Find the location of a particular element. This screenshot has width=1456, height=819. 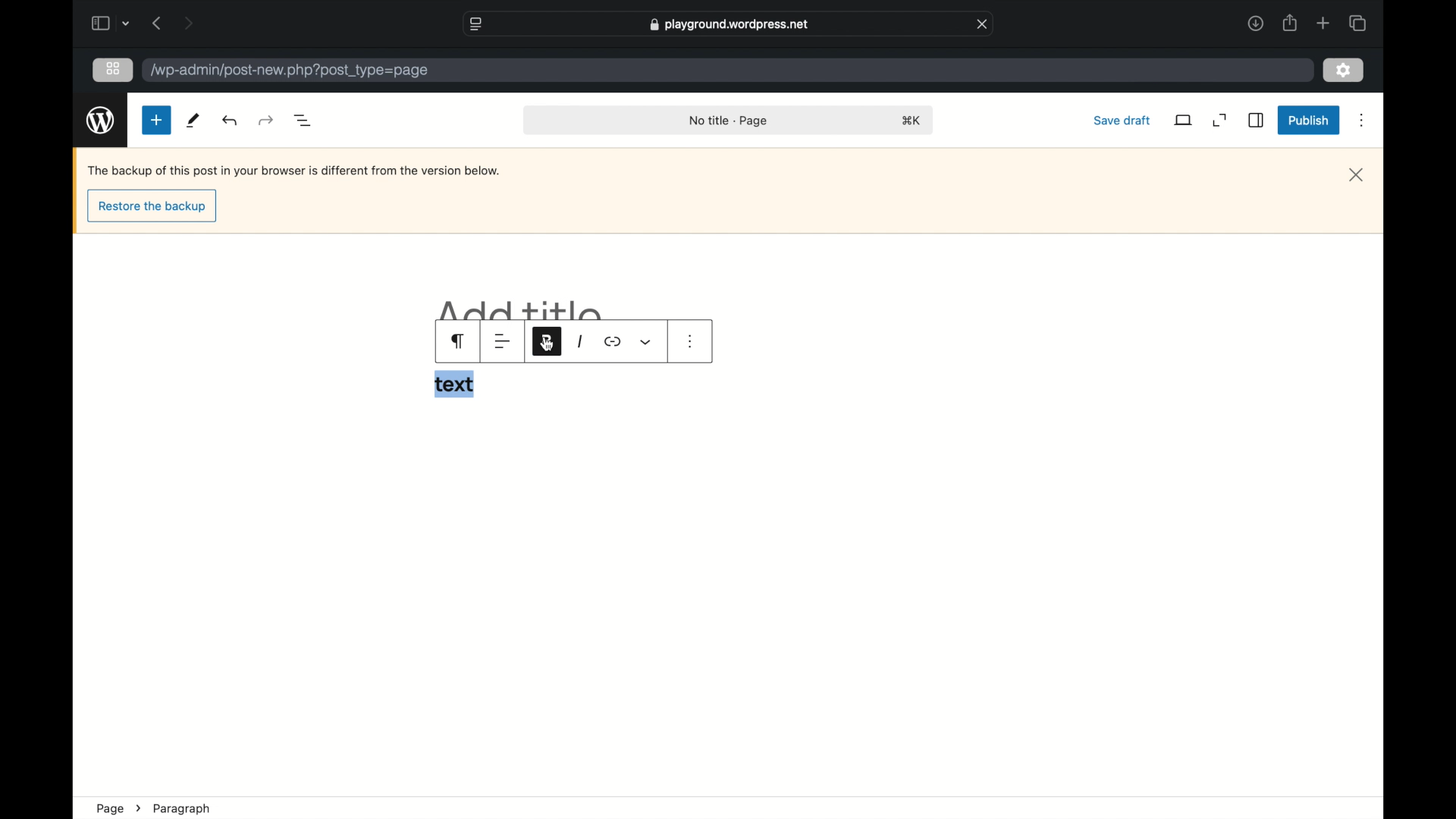

text is located at coordinates (454, 384).